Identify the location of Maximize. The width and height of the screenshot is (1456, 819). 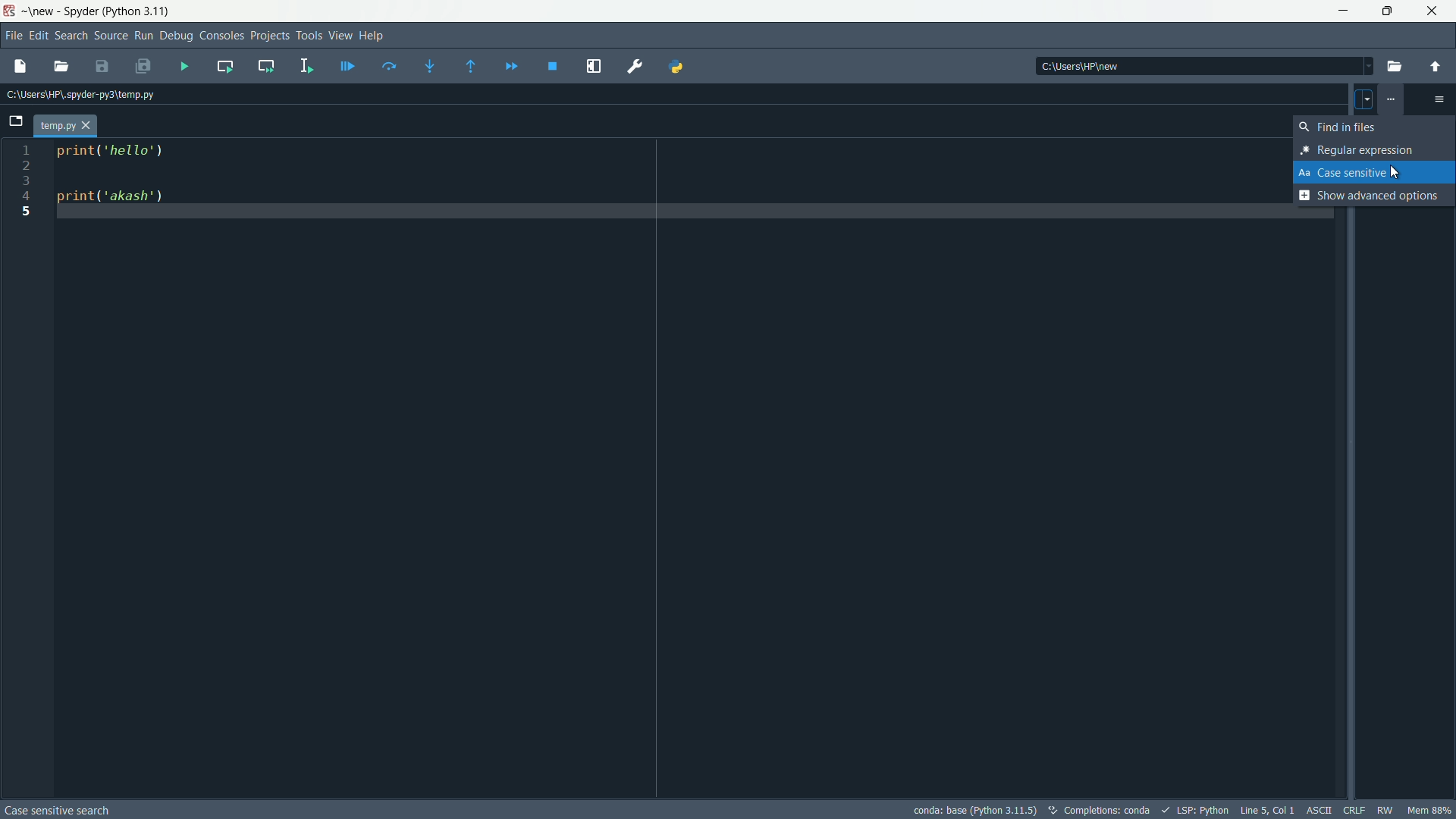
(1385, 11).